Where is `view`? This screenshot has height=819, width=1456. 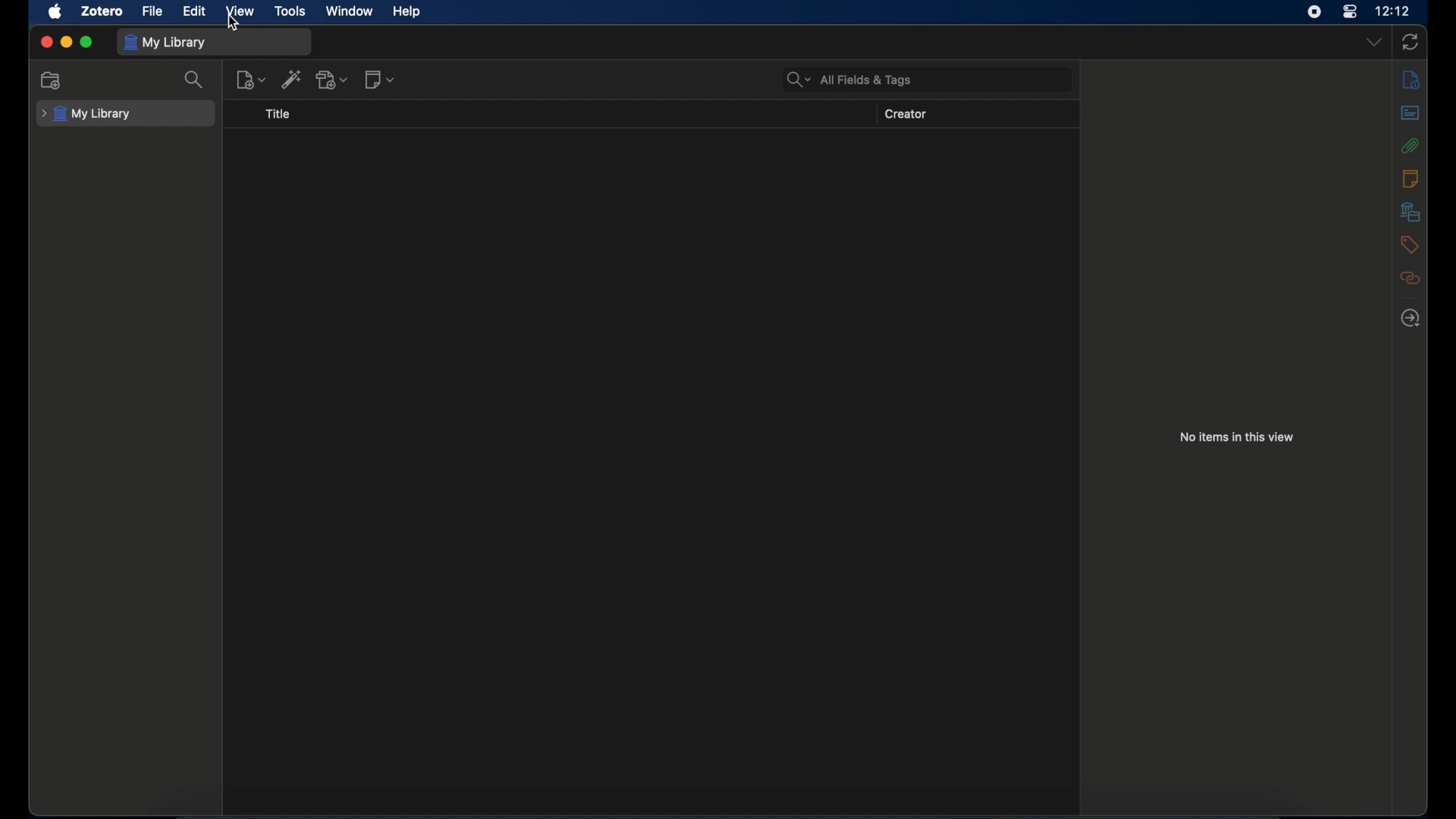
view is located at coordinates (238, 11).